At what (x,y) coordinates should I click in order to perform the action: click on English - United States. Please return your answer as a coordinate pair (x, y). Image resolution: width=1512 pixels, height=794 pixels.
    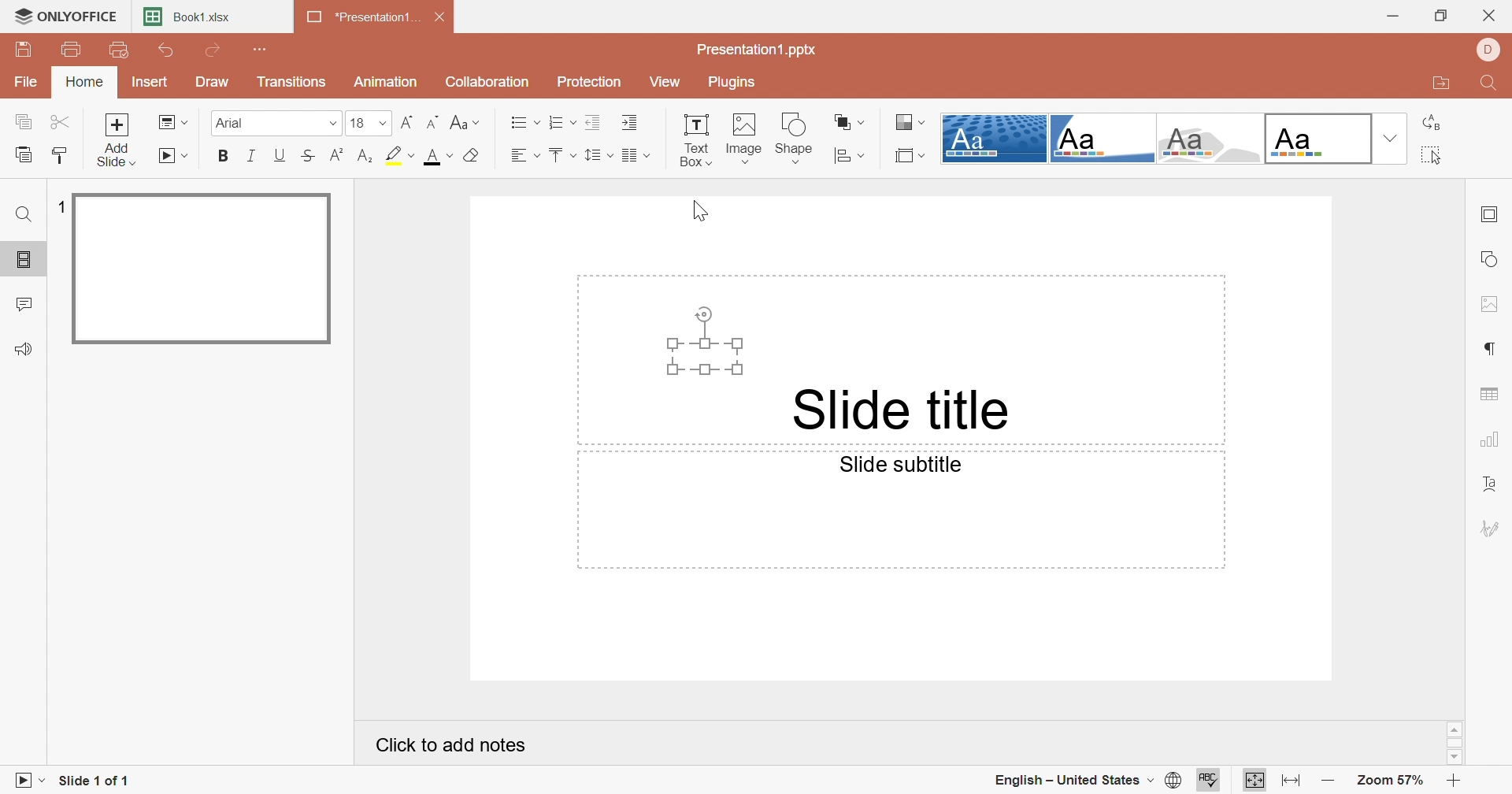
    Looking at the image, I should click on (1073, 783).